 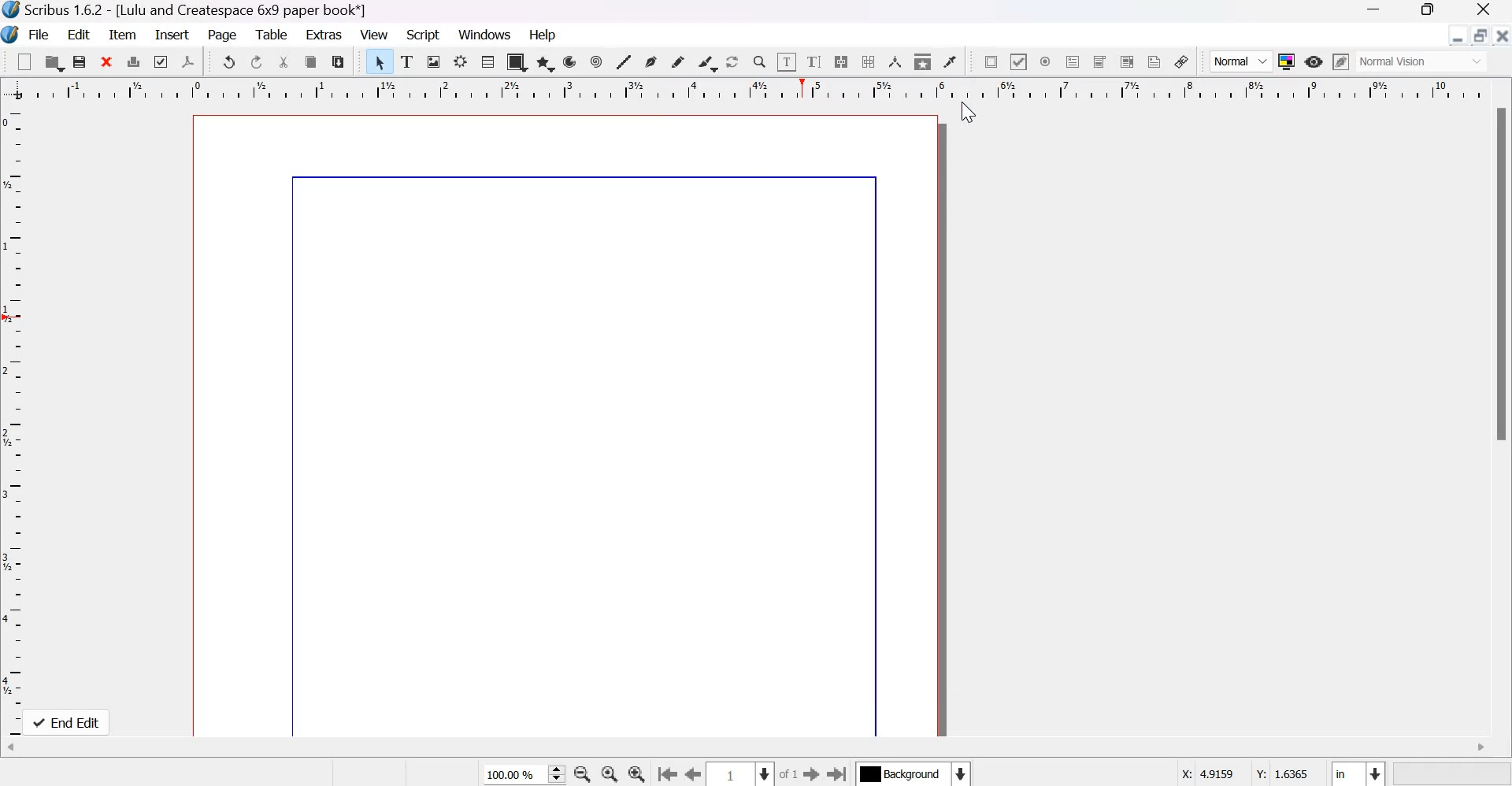 I want to click on go to the first page, so click(x=665, y=773).